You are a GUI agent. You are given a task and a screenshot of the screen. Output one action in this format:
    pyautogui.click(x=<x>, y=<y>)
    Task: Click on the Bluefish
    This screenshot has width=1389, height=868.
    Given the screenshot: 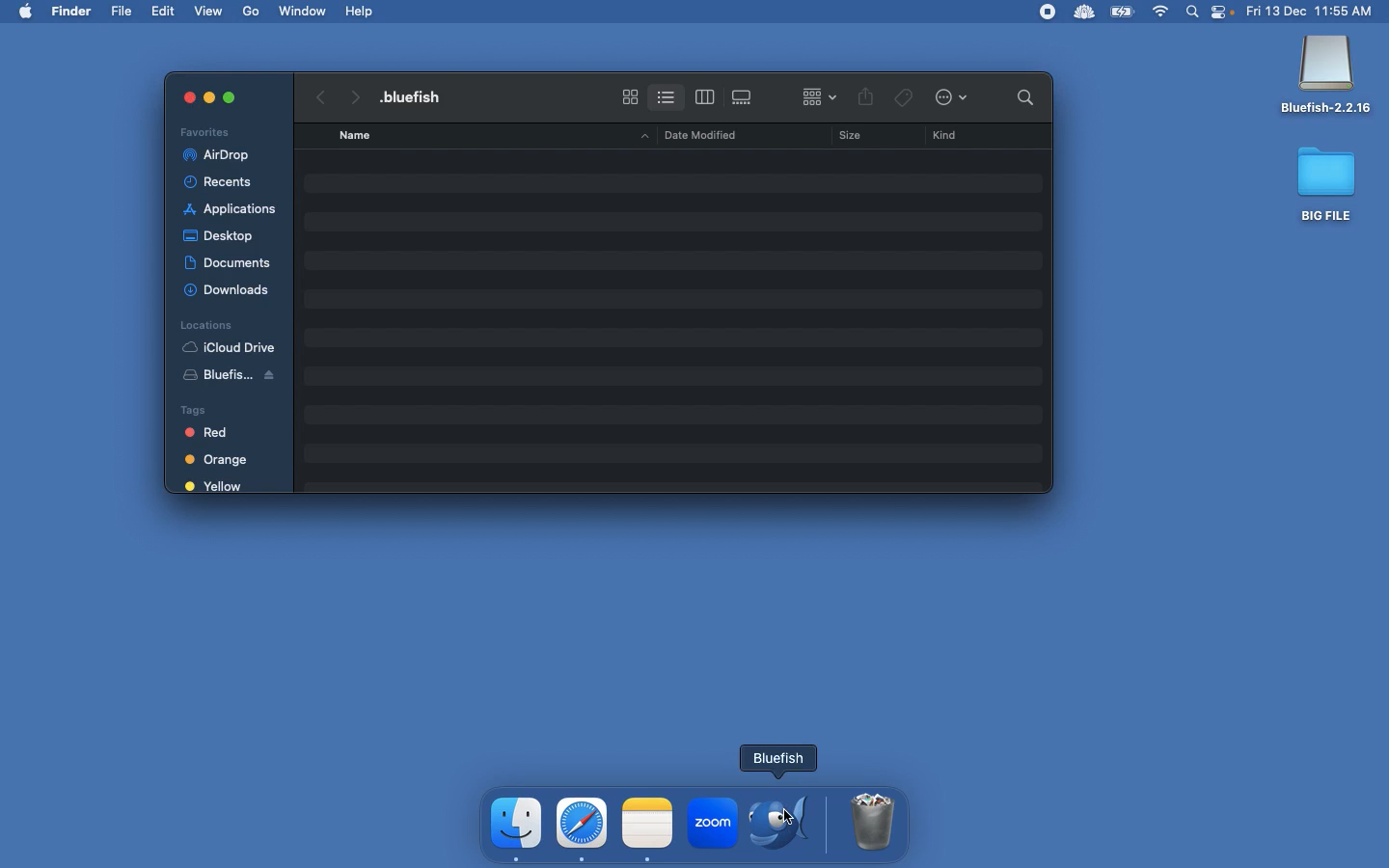 What is the action you would take?
    pyautogui.click(x=1326, y=76)
    